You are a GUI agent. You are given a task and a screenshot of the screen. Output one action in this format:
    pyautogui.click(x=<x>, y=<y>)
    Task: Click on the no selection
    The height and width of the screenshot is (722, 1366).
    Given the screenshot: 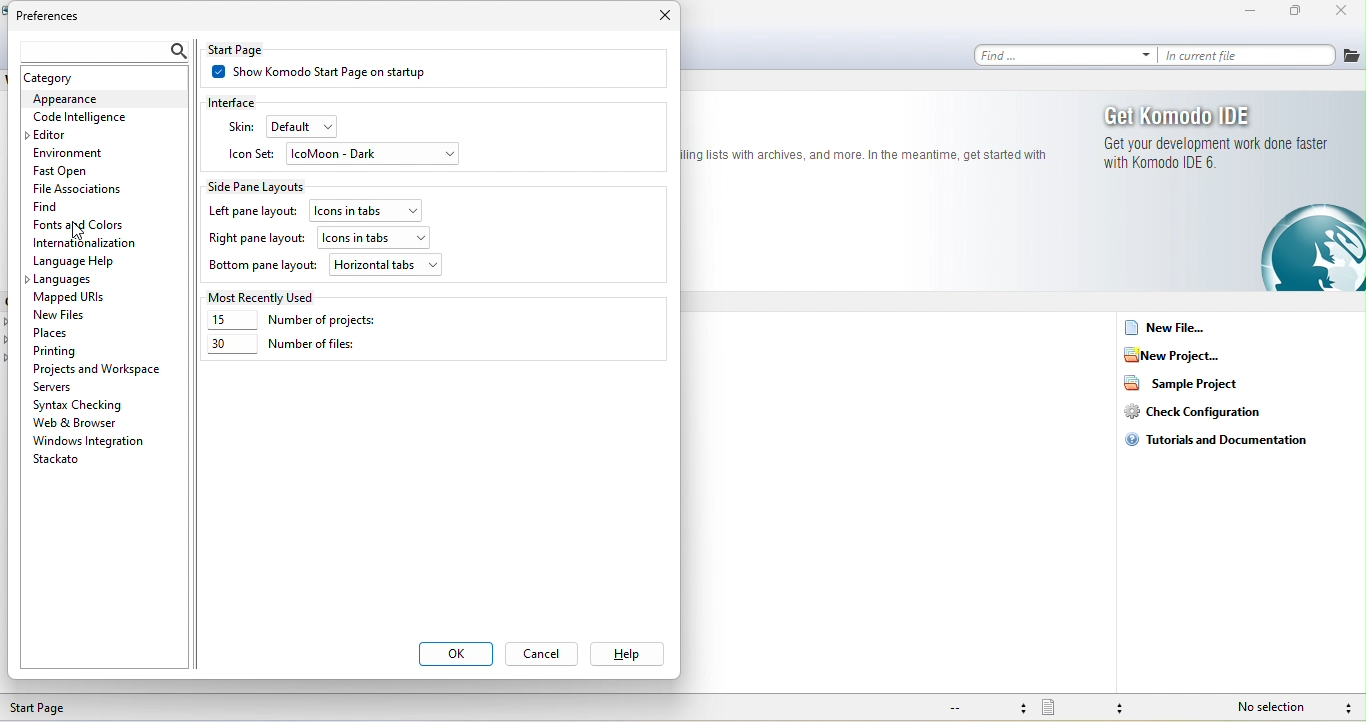 What is the action you would take?
    pyautogui.click(x=1274, y=706)
    